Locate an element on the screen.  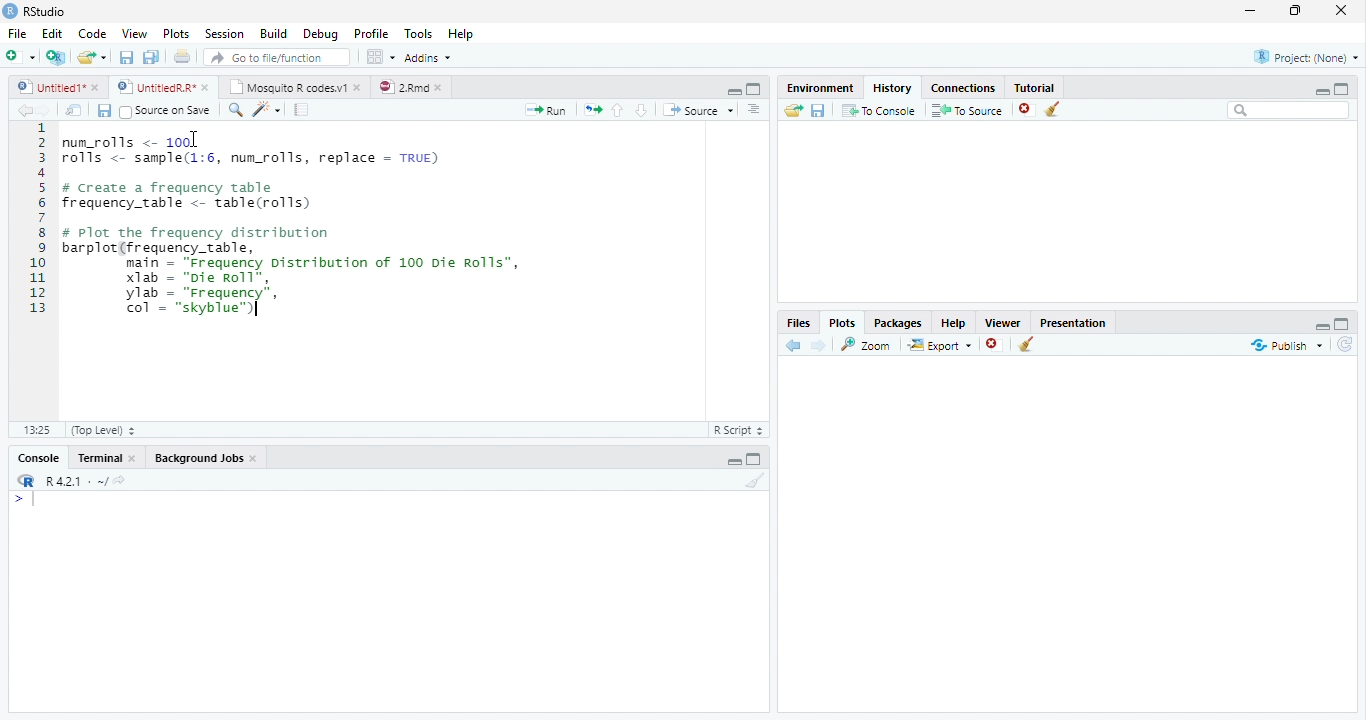
T0 Console is located at coordinates (878, 109).